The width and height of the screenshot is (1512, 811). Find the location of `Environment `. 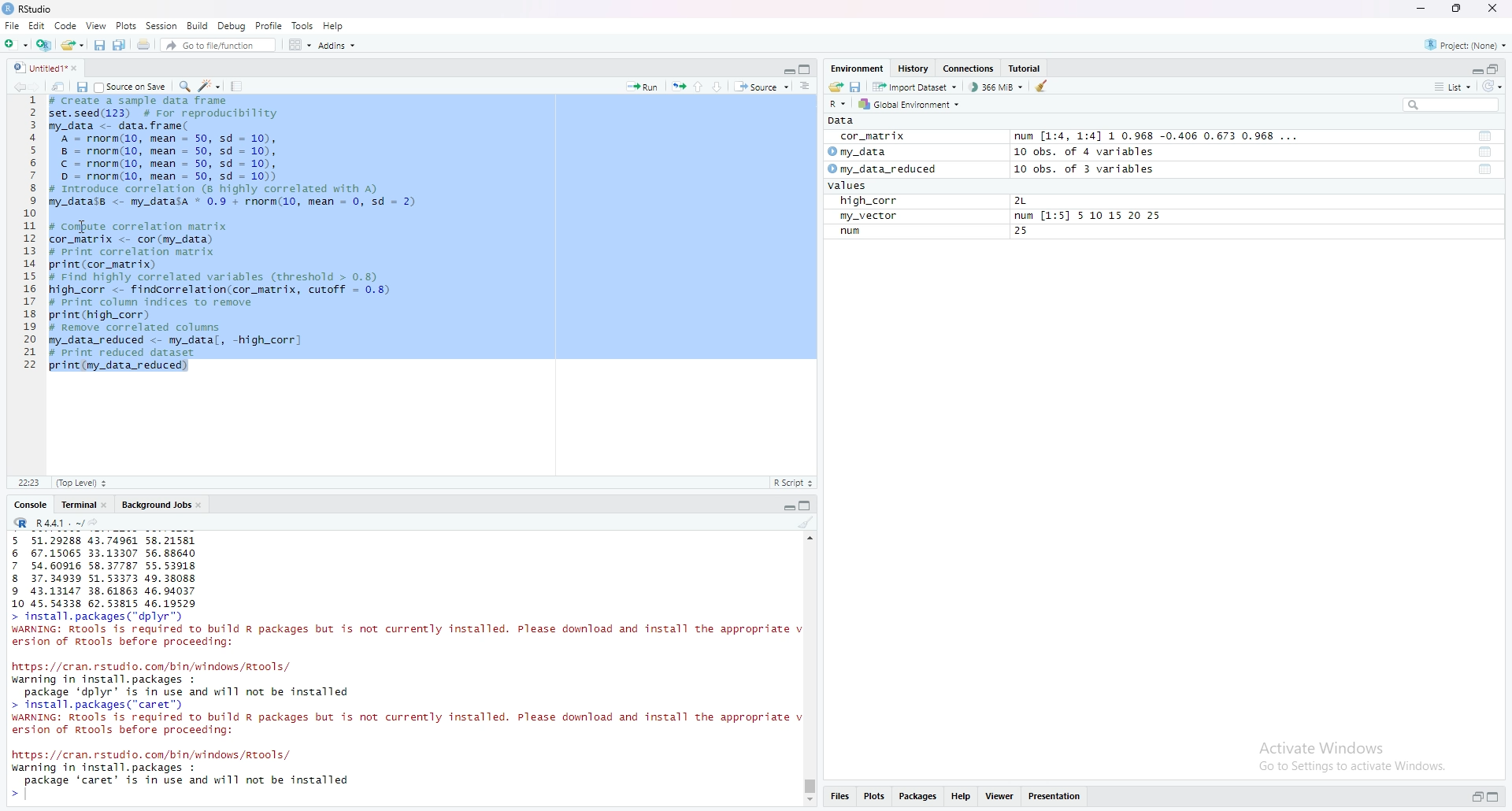

Environment  is located at coordinates (858, 68).